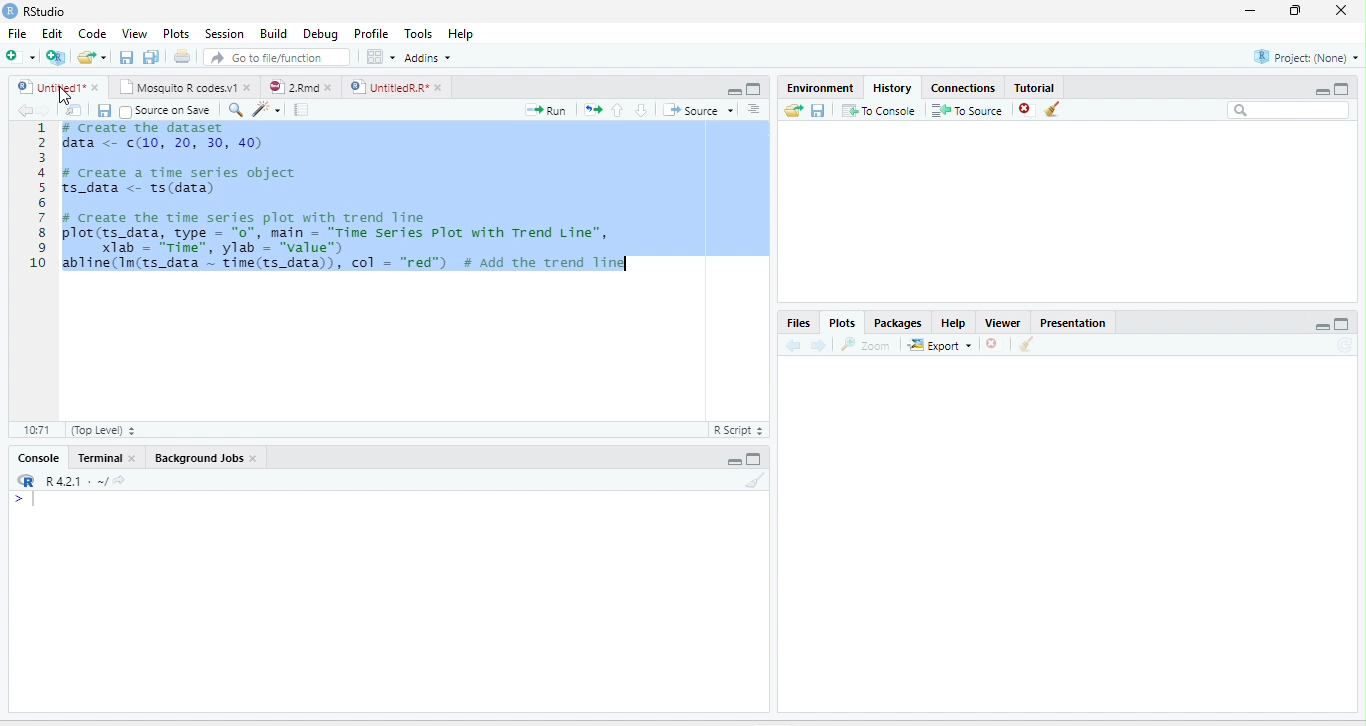 This screenshot has width=1366, height=726. What do you see at coordinates (940, 345) in the screenshot?
I see `Export` at bounding box center [940, 345].